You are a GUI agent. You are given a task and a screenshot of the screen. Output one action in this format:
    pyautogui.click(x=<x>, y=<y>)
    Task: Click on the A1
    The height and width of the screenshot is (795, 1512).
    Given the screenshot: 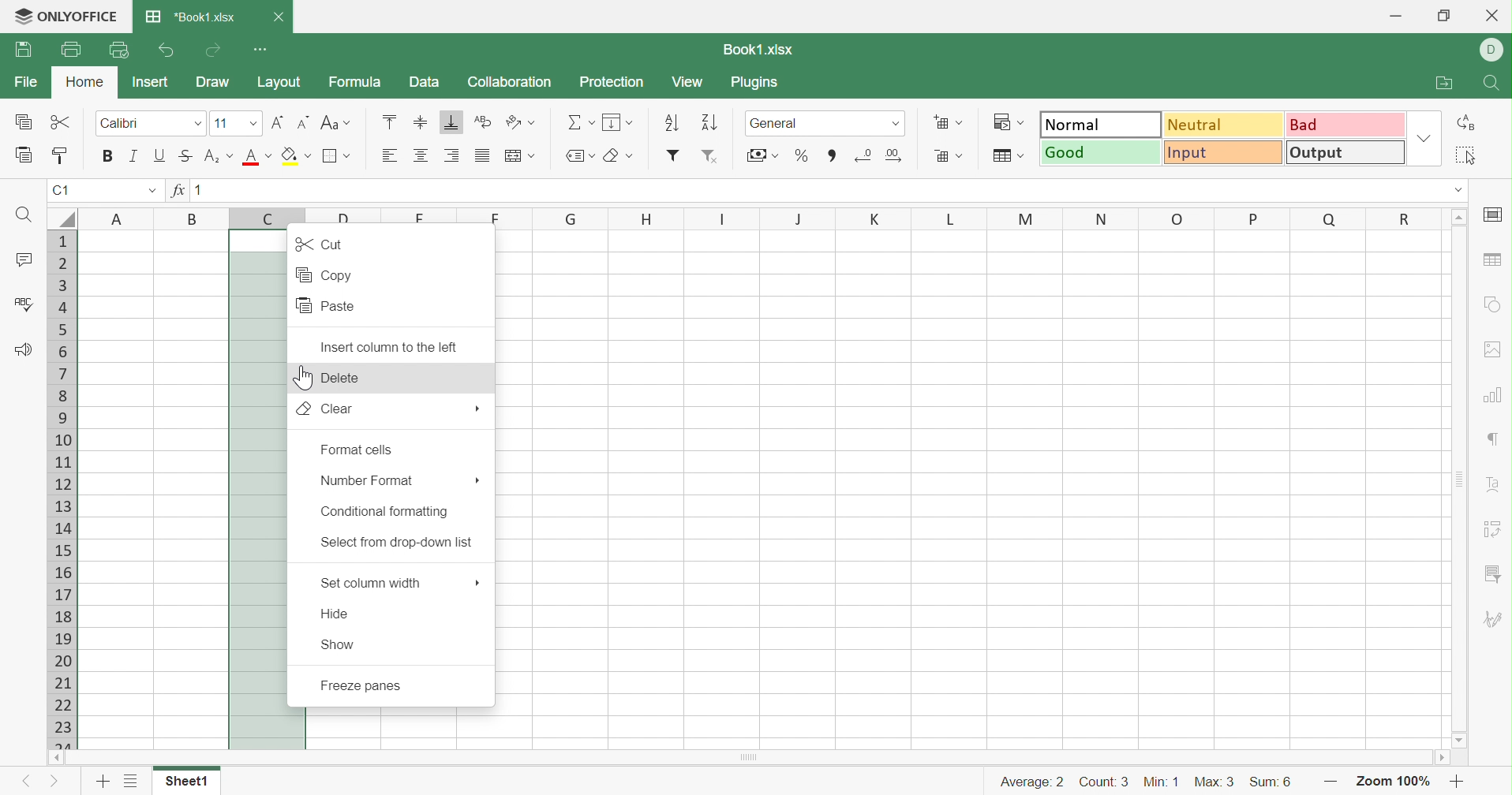 What is the action you would take?
    pyautogui.click(x=61, y=189)
    